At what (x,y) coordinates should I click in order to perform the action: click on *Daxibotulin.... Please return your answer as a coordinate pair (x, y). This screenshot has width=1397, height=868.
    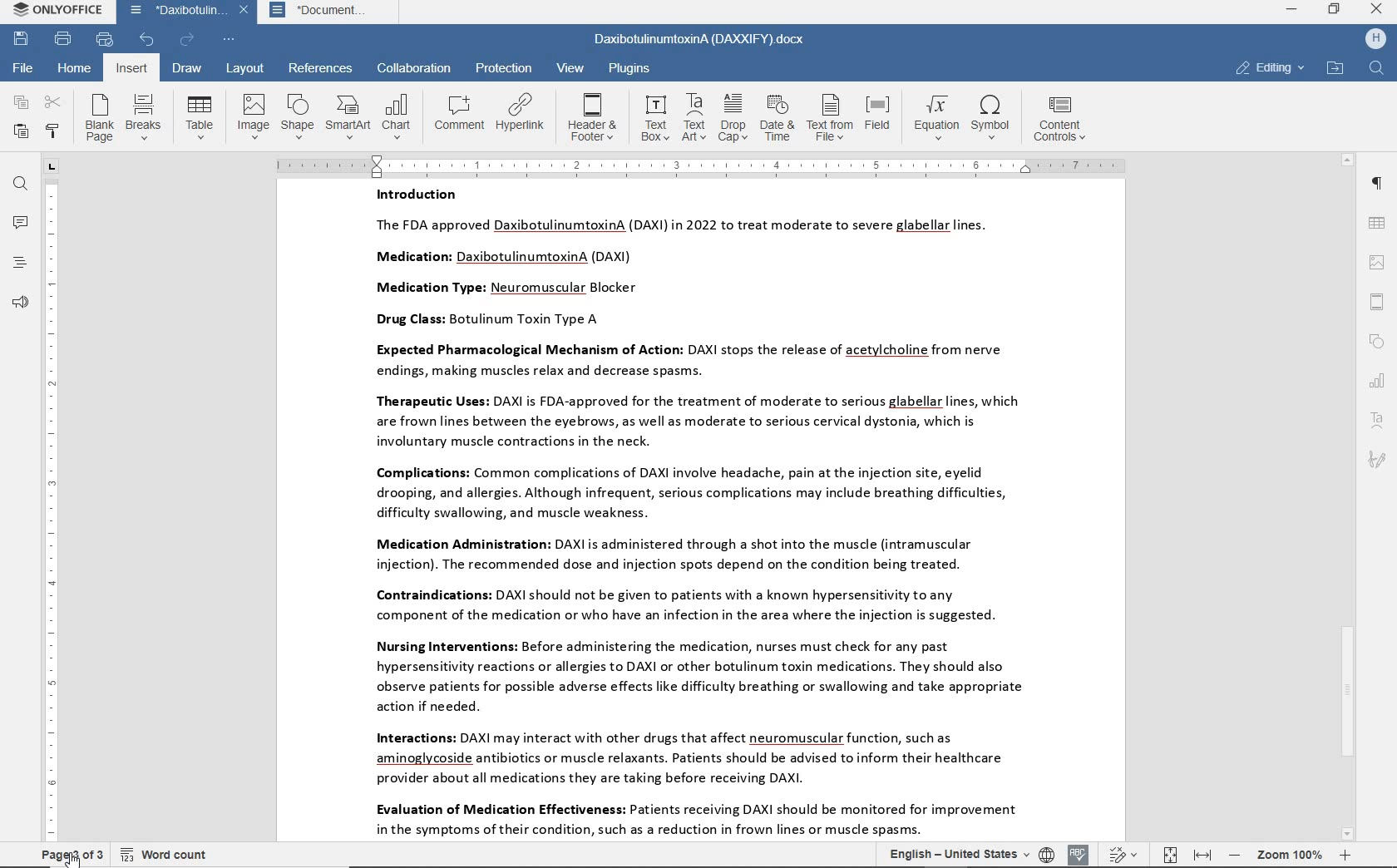
    Looking at the image, I should click on (173, 12).